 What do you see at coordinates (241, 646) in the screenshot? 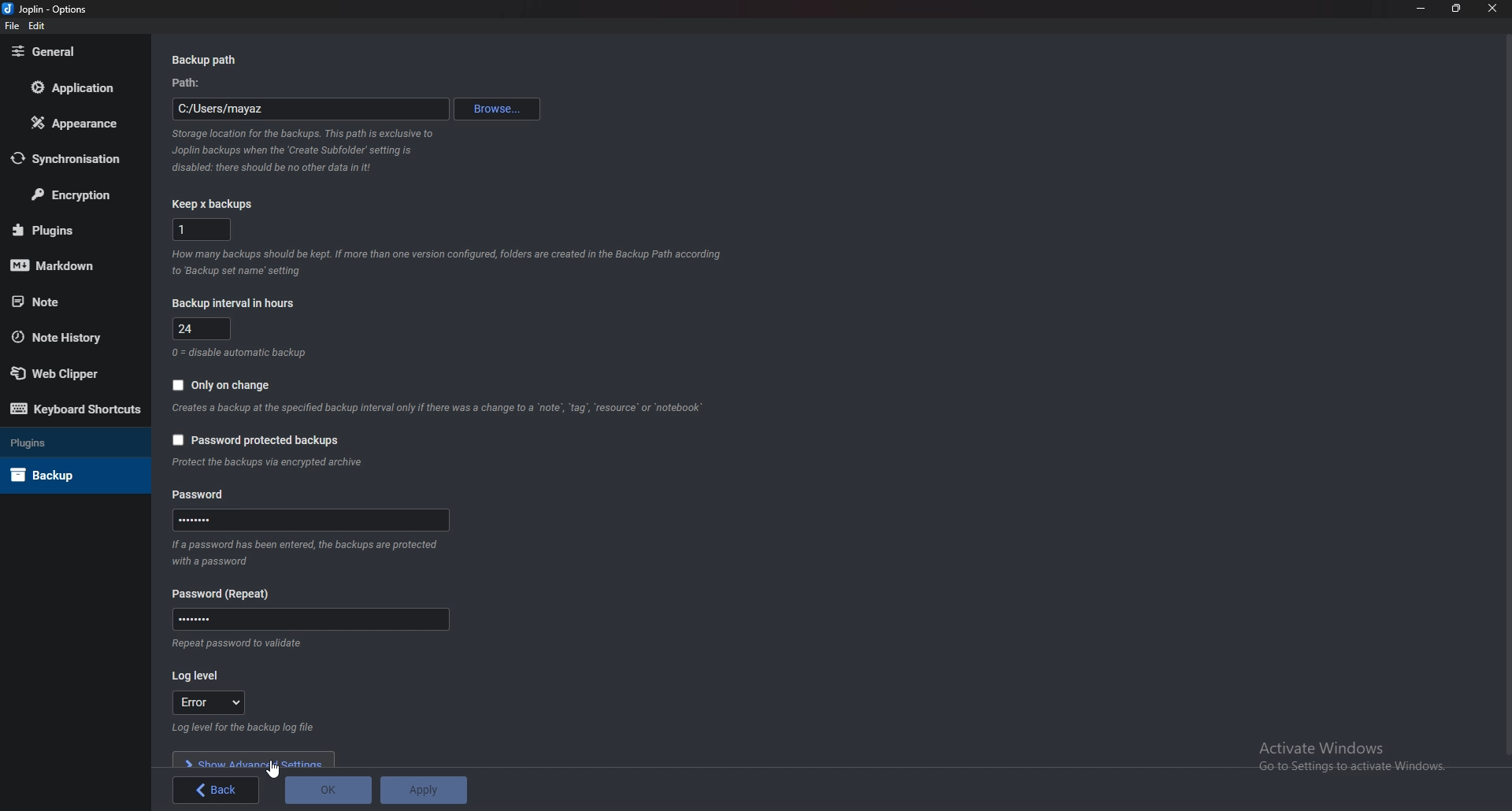
I see `Info` at bounding box center [241, 646].